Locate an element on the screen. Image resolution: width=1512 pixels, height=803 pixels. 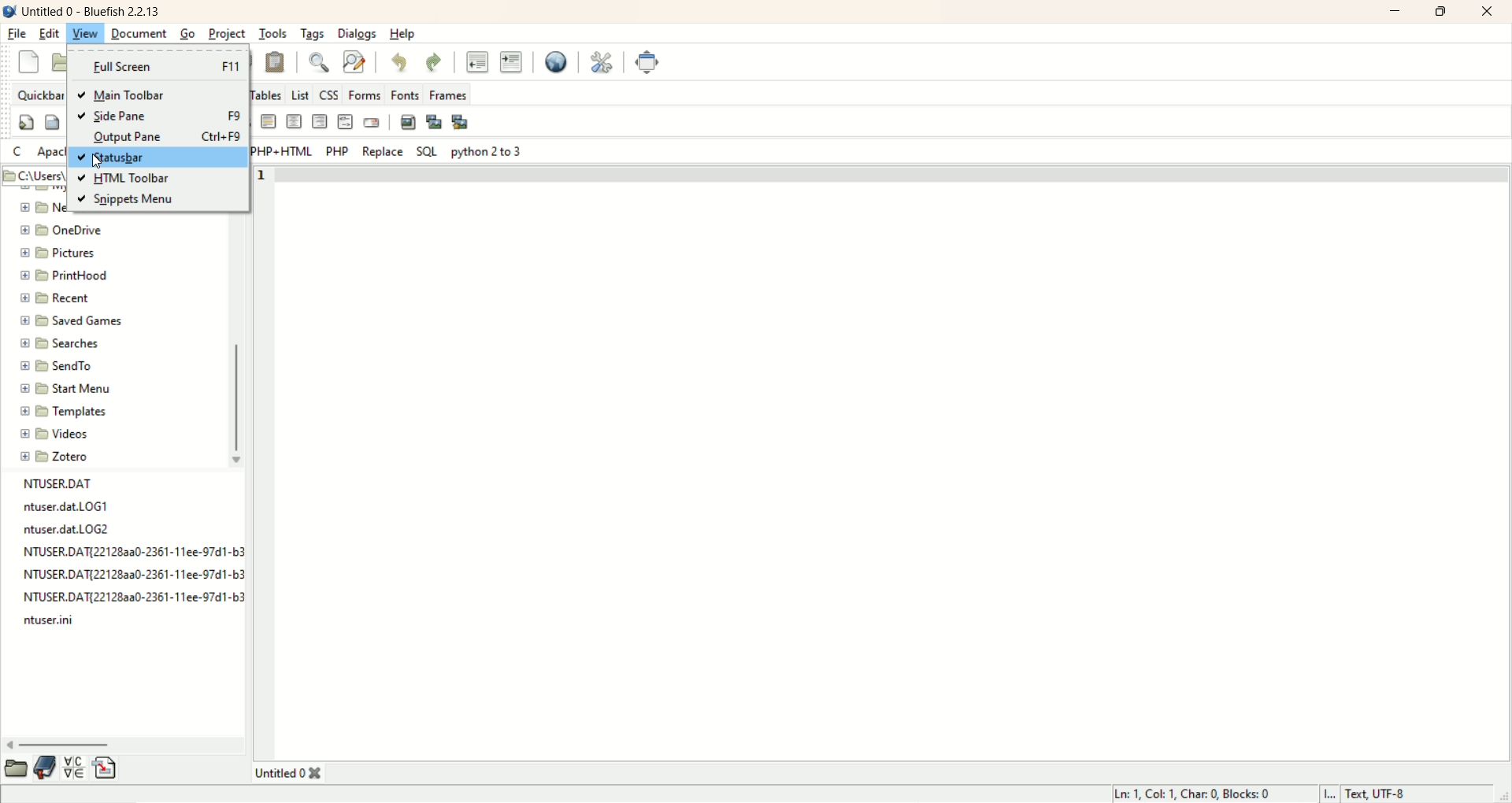
show find bar is located at coordinates (319, 62).